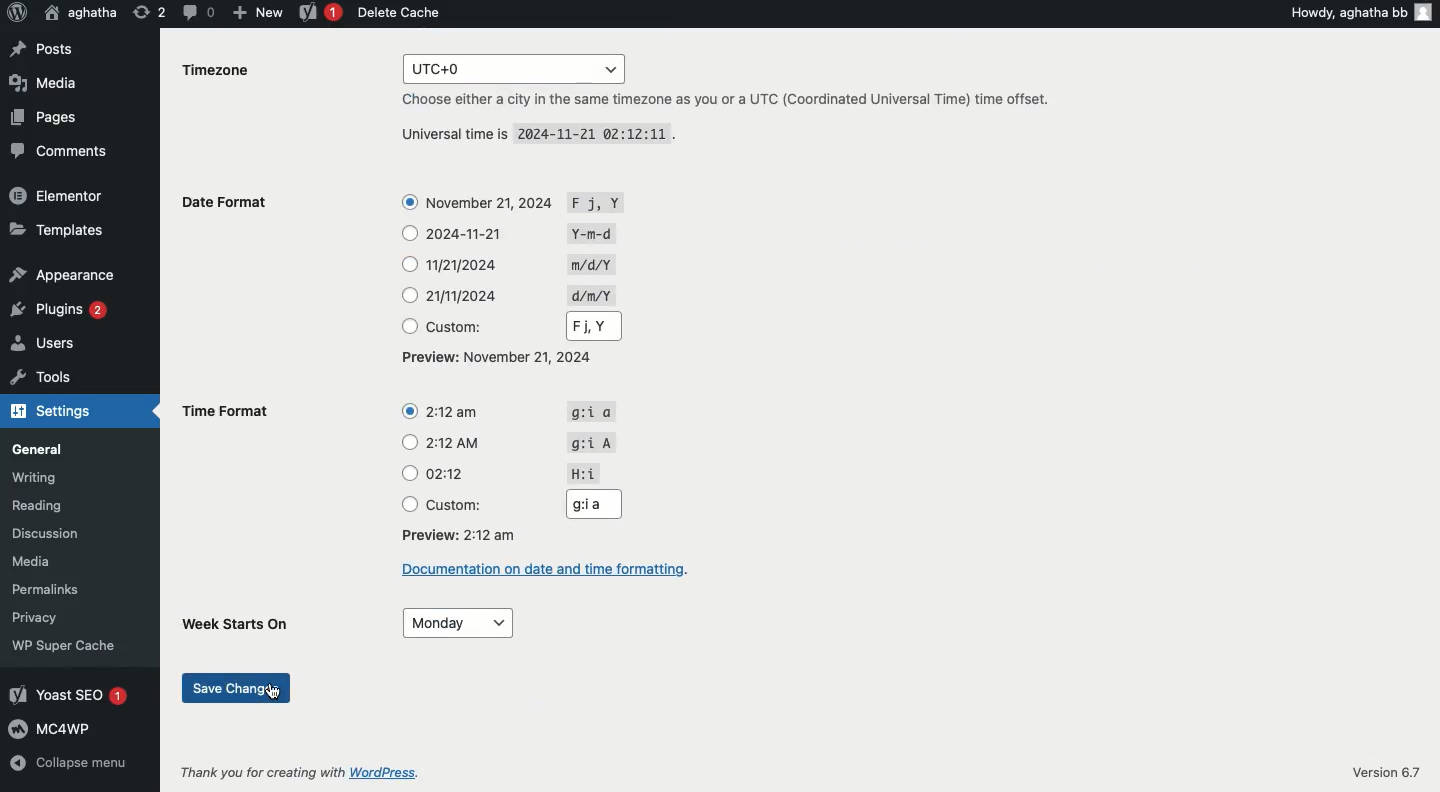  What do you see at coordinates (60, 589) in the screenshot?
I see `Permalinks` at bounding box center [60, 589].